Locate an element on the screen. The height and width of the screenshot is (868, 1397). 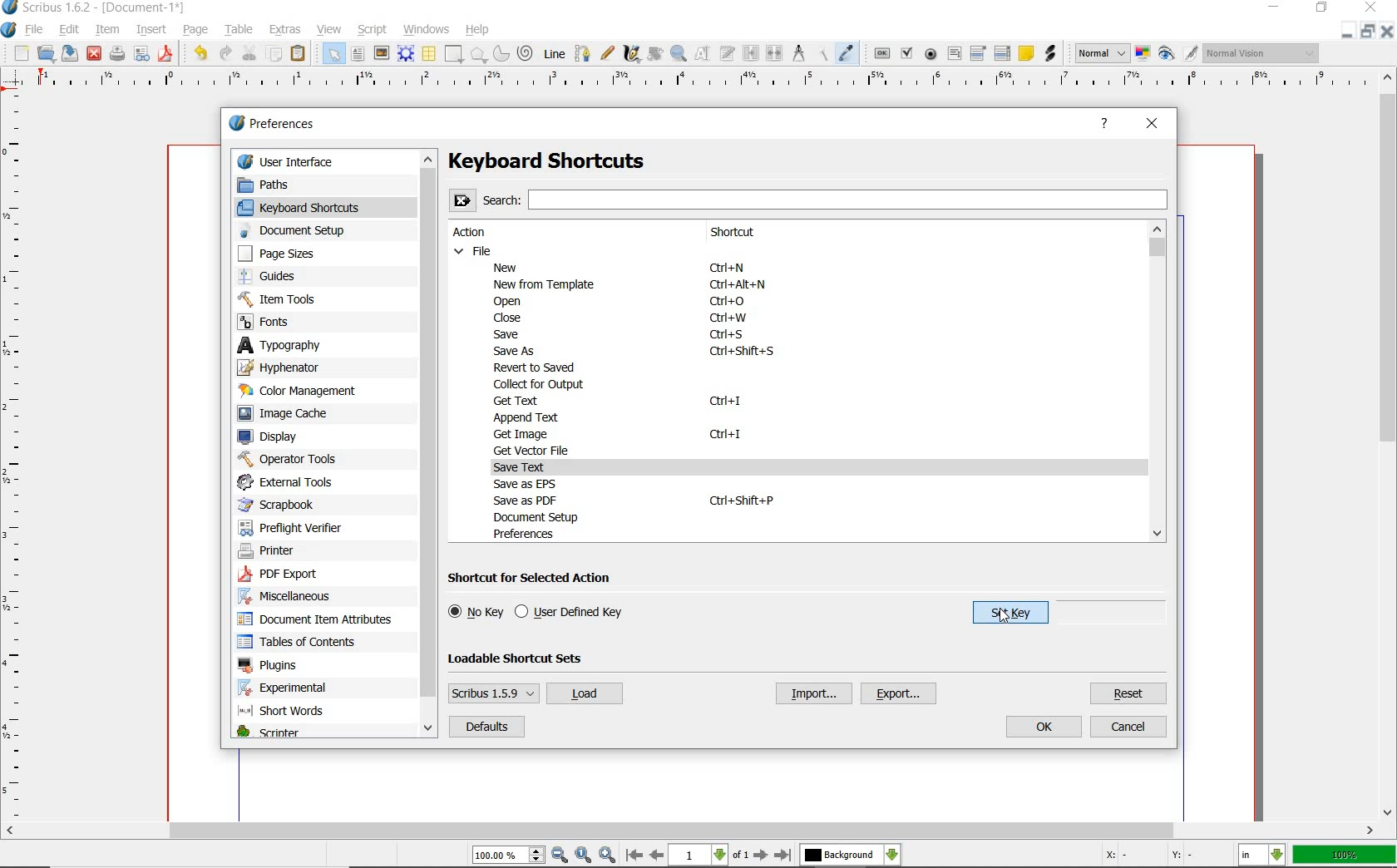
scrollbar is located at coordinates (431, 445).